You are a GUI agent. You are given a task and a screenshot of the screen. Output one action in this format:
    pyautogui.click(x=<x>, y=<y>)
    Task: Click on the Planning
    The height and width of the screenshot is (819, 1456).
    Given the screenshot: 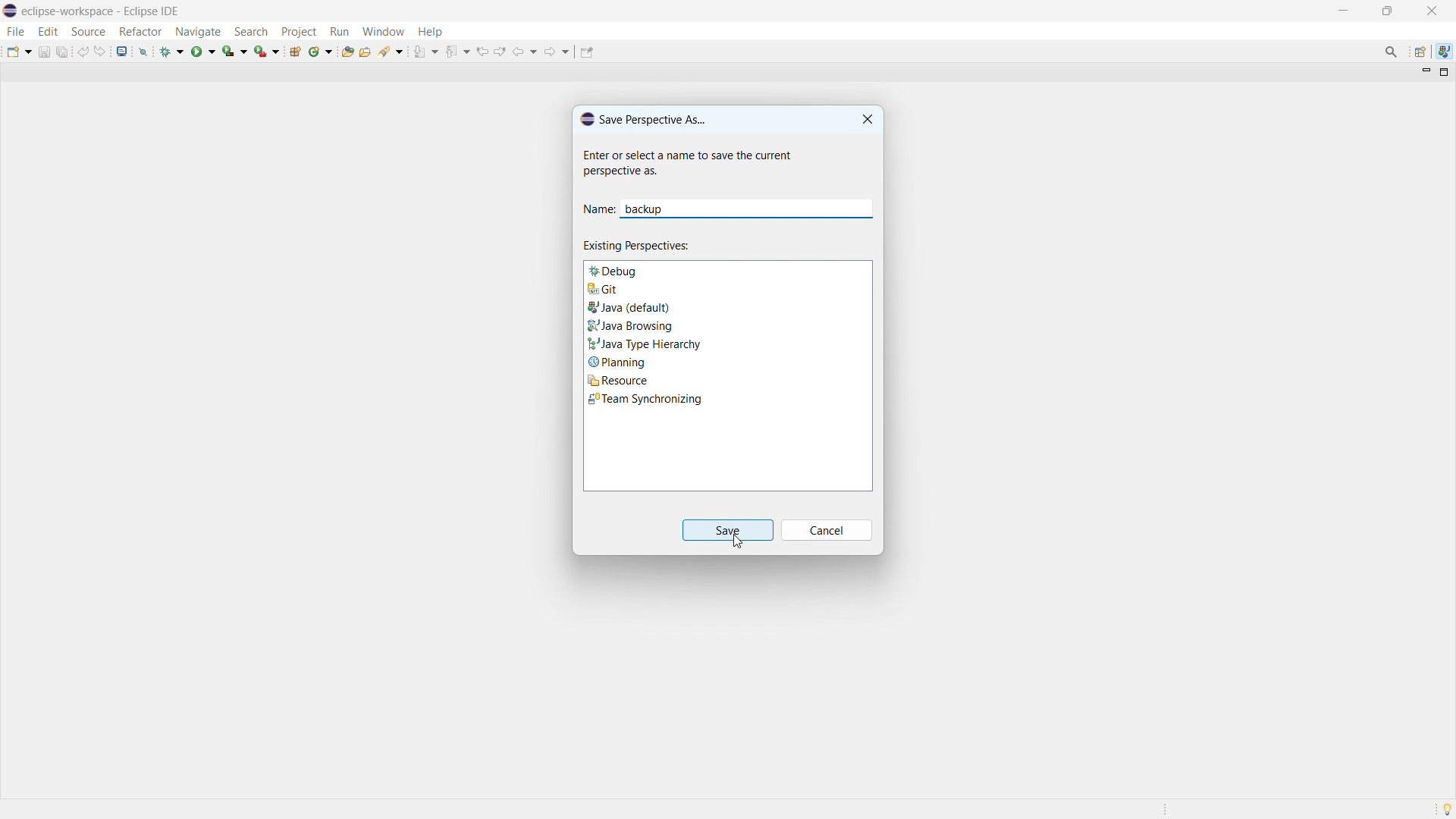 What is the action you would take?
    pyautogui.click(x=728, y=361)
    